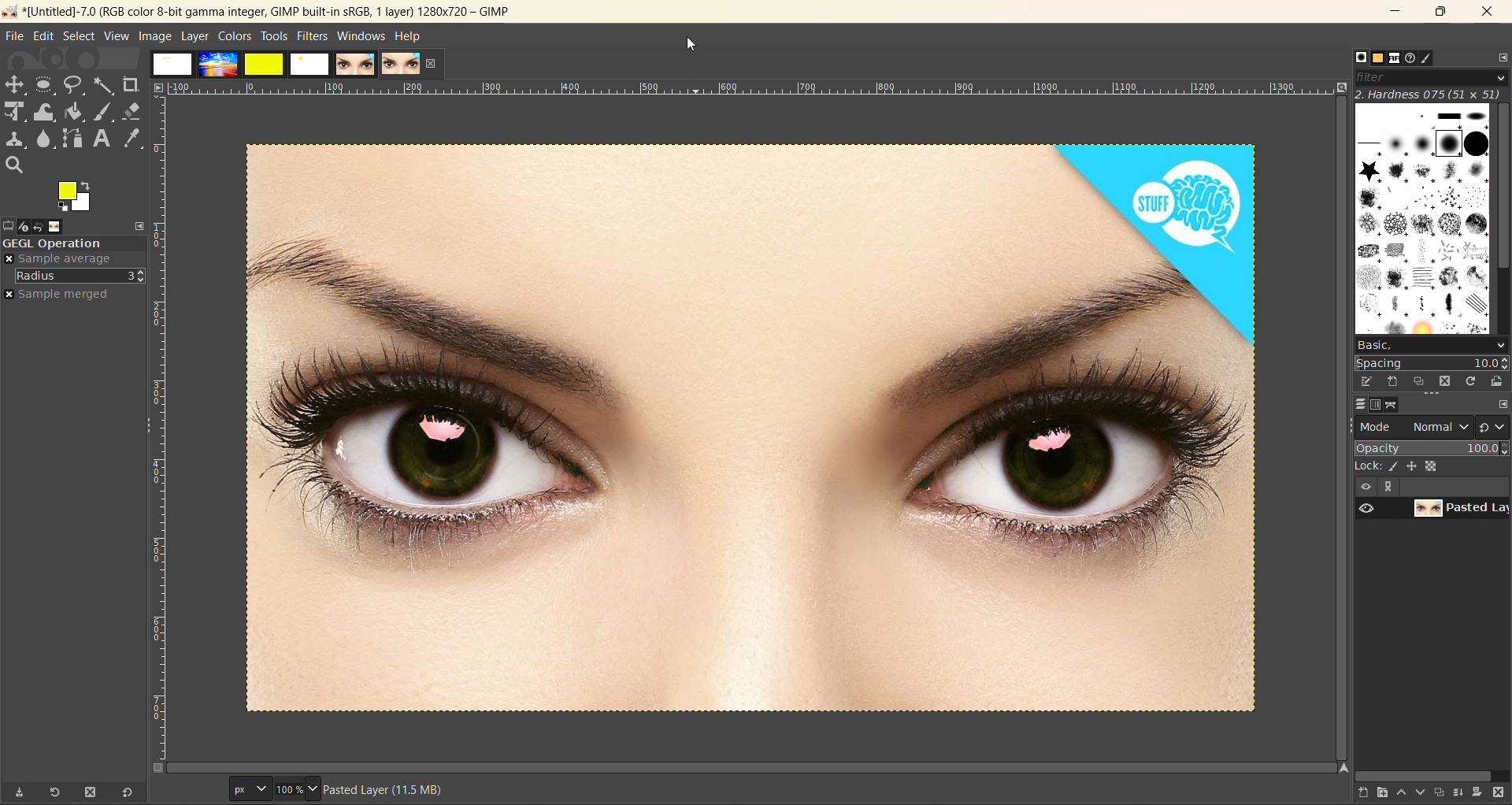 The height and width of the screenshot is (805, 1512). I want to click on view, so click(1362, 487).